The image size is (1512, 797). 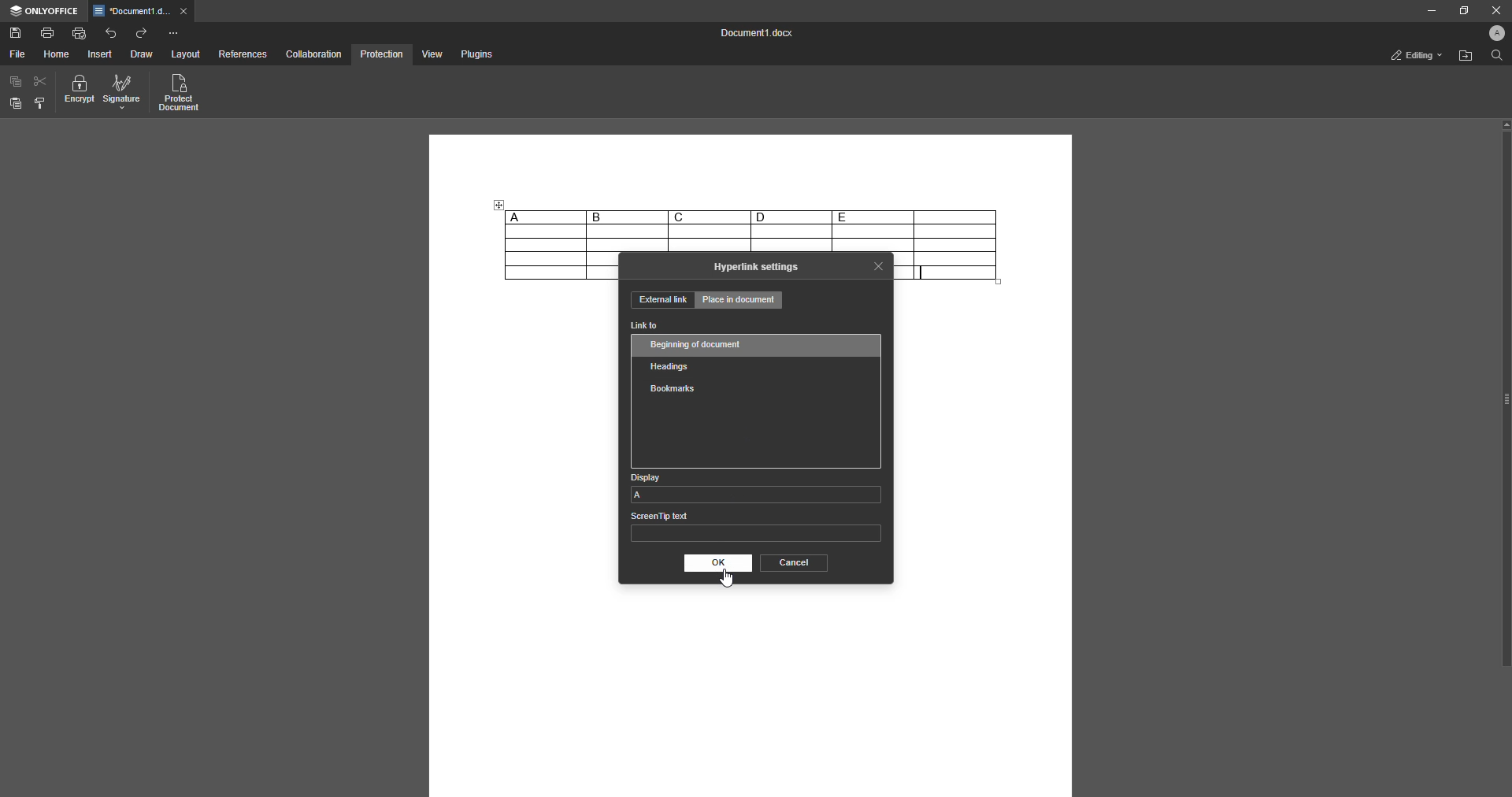 What do you see at coordinates (672, 389) in the screenshot?
I see `Bookmarks` at bounding box center [672, 389].